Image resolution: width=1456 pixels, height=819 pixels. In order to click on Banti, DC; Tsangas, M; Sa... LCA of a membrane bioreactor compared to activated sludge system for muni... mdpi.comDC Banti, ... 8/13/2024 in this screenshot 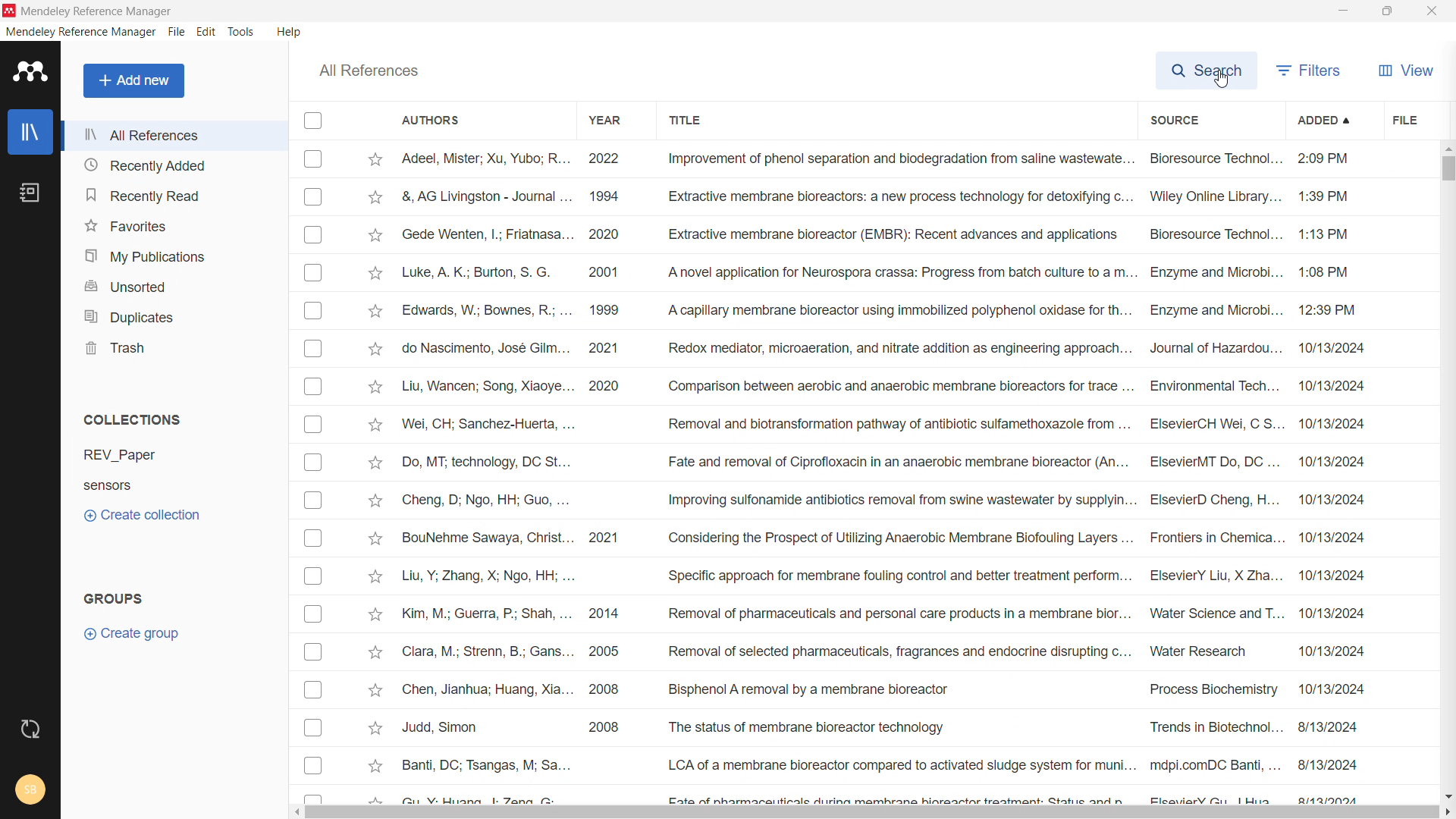, I will do `click(881, 761)`.